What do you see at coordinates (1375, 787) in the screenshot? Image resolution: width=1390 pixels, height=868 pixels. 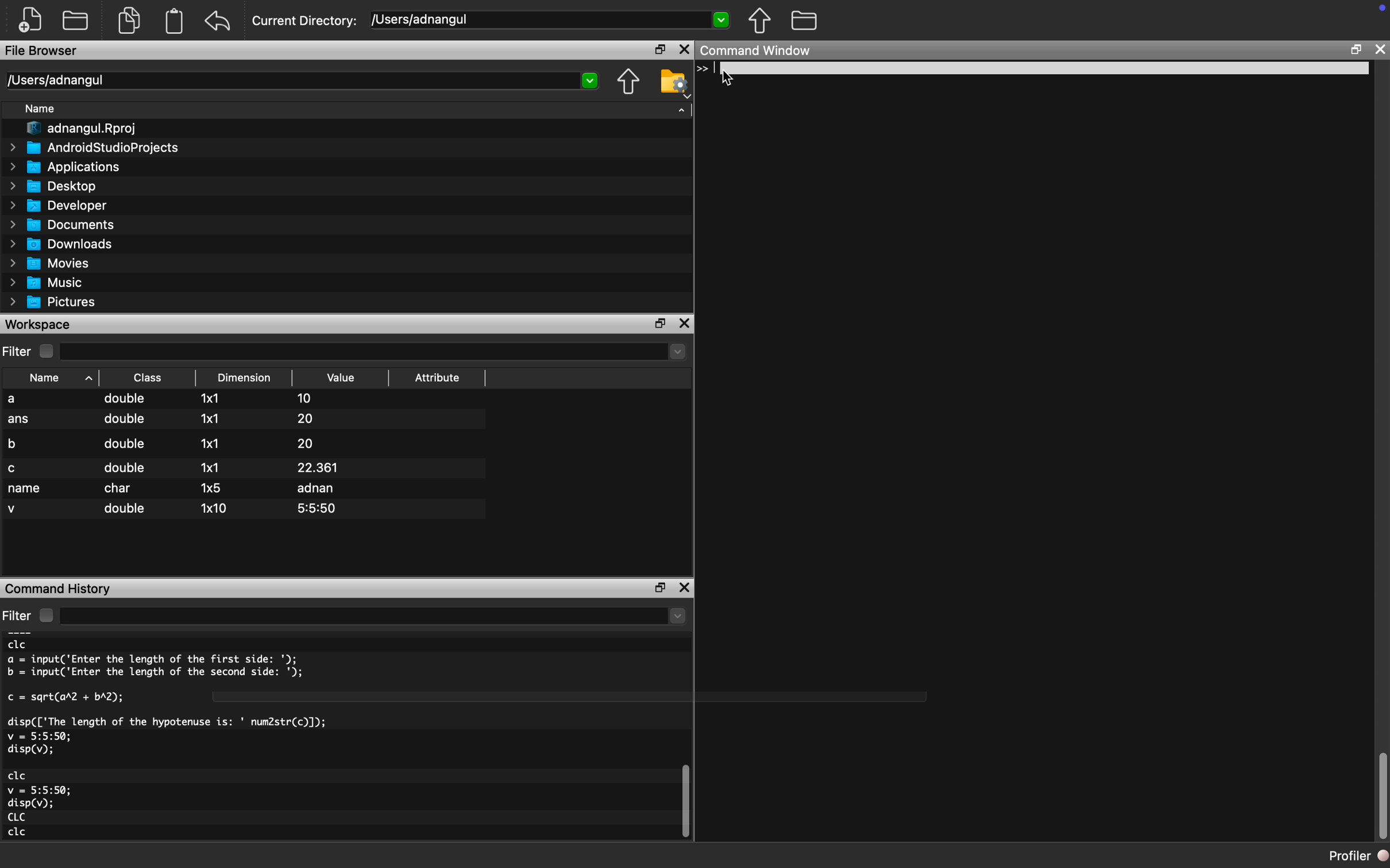 I see `Scrollbar` at bounding box center [1375, 787].